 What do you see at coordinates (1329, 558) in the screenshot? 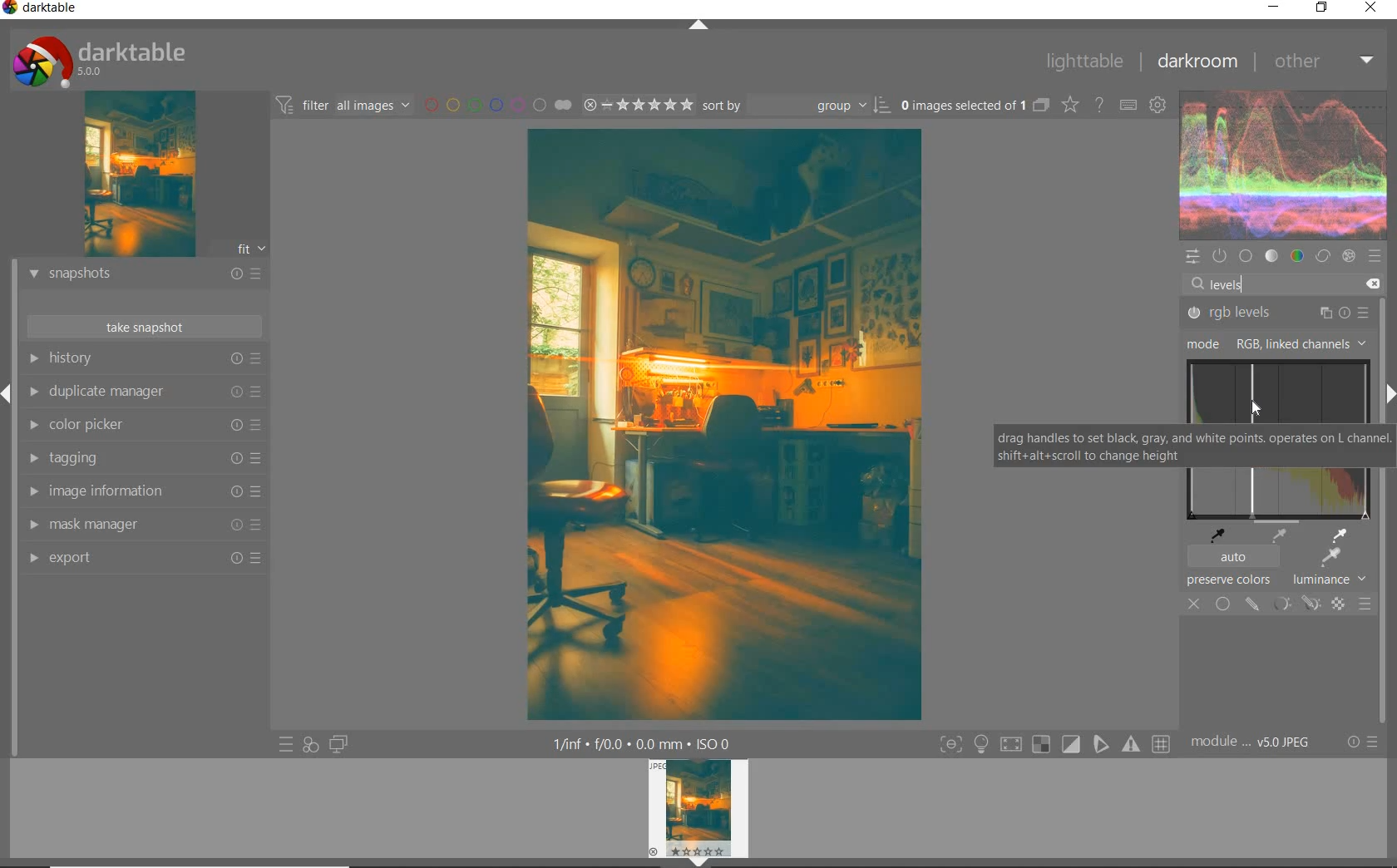
I see `apply auto levels based on region` at bounding box center [1329, 558].